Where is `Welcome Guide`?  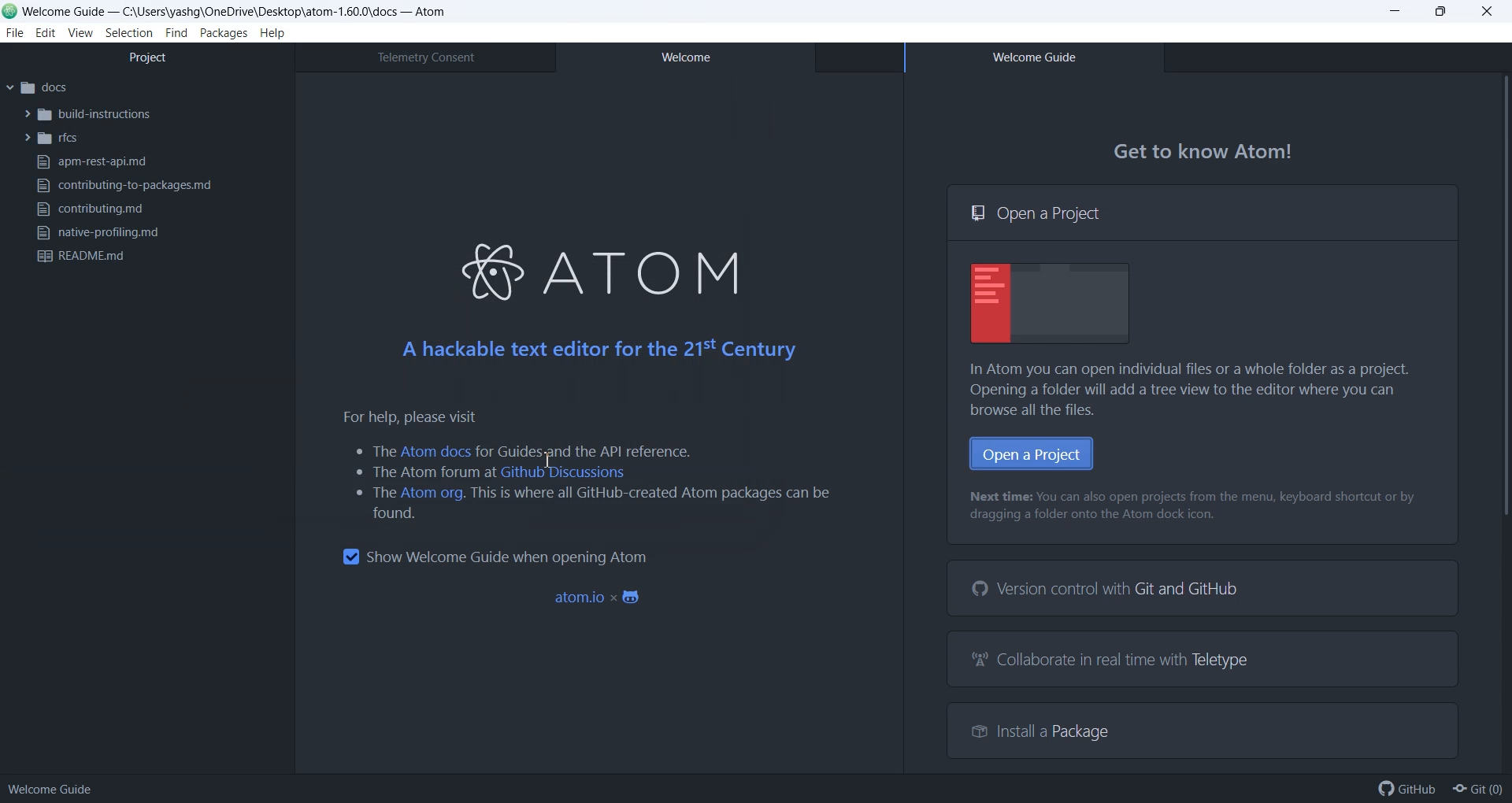
Welcome Guide is located at coordinates (1033, 57).